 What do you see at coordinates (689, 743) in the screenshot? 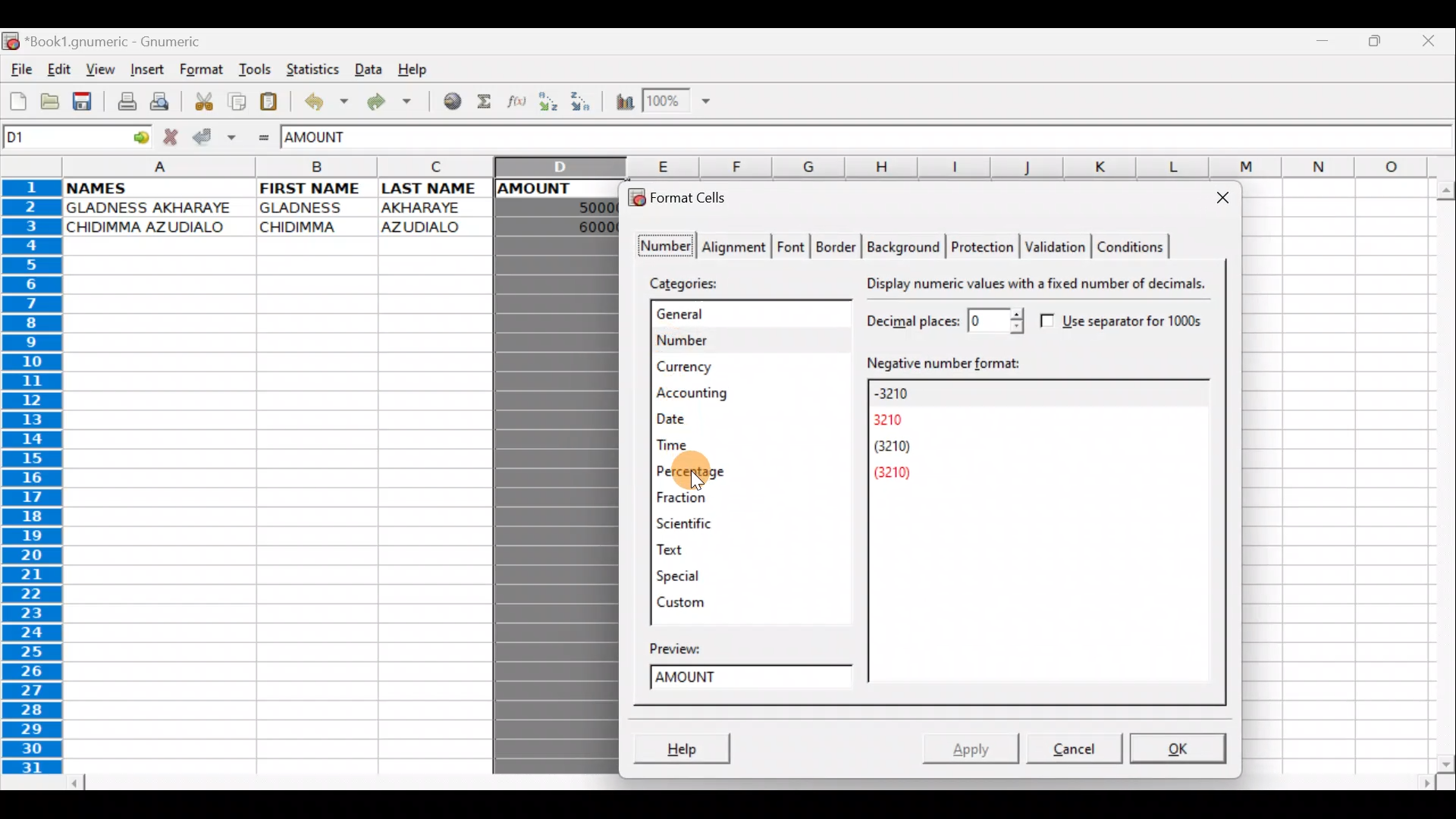
I see `Help` at bounding box center [689, 743].